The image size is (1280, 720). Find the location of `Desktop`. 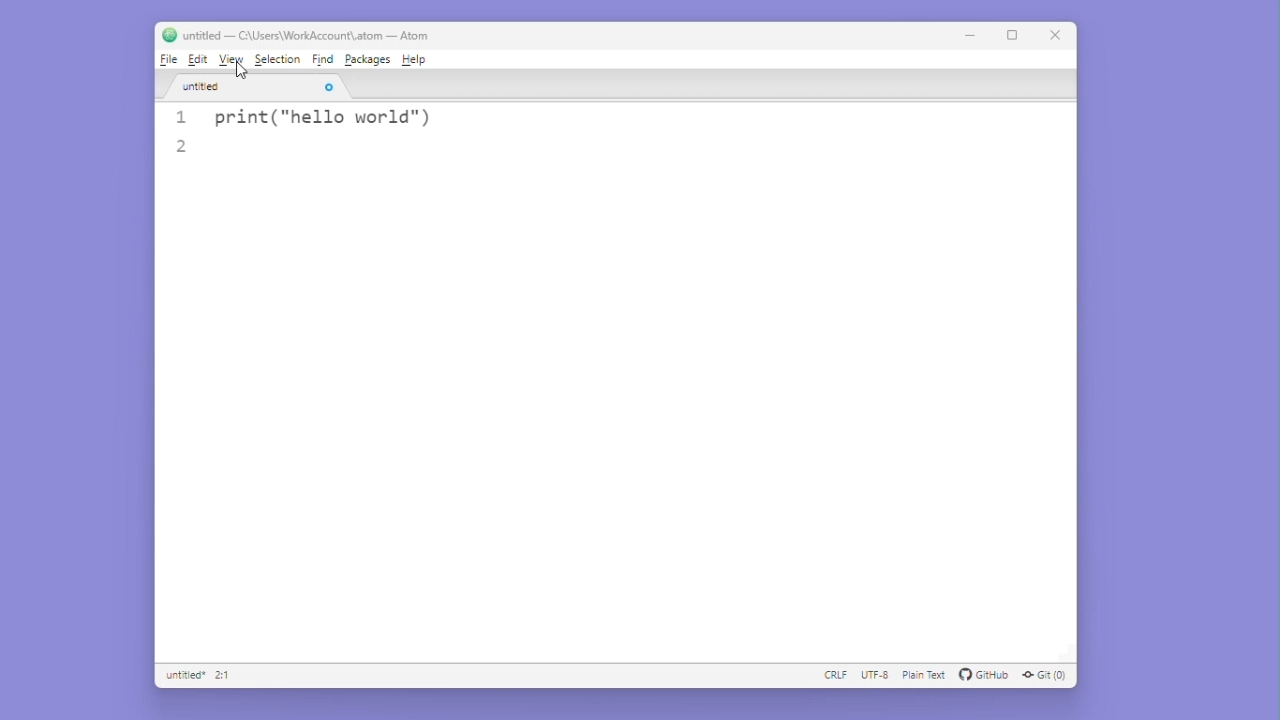

Desktop is located at coordinates (46, 325).